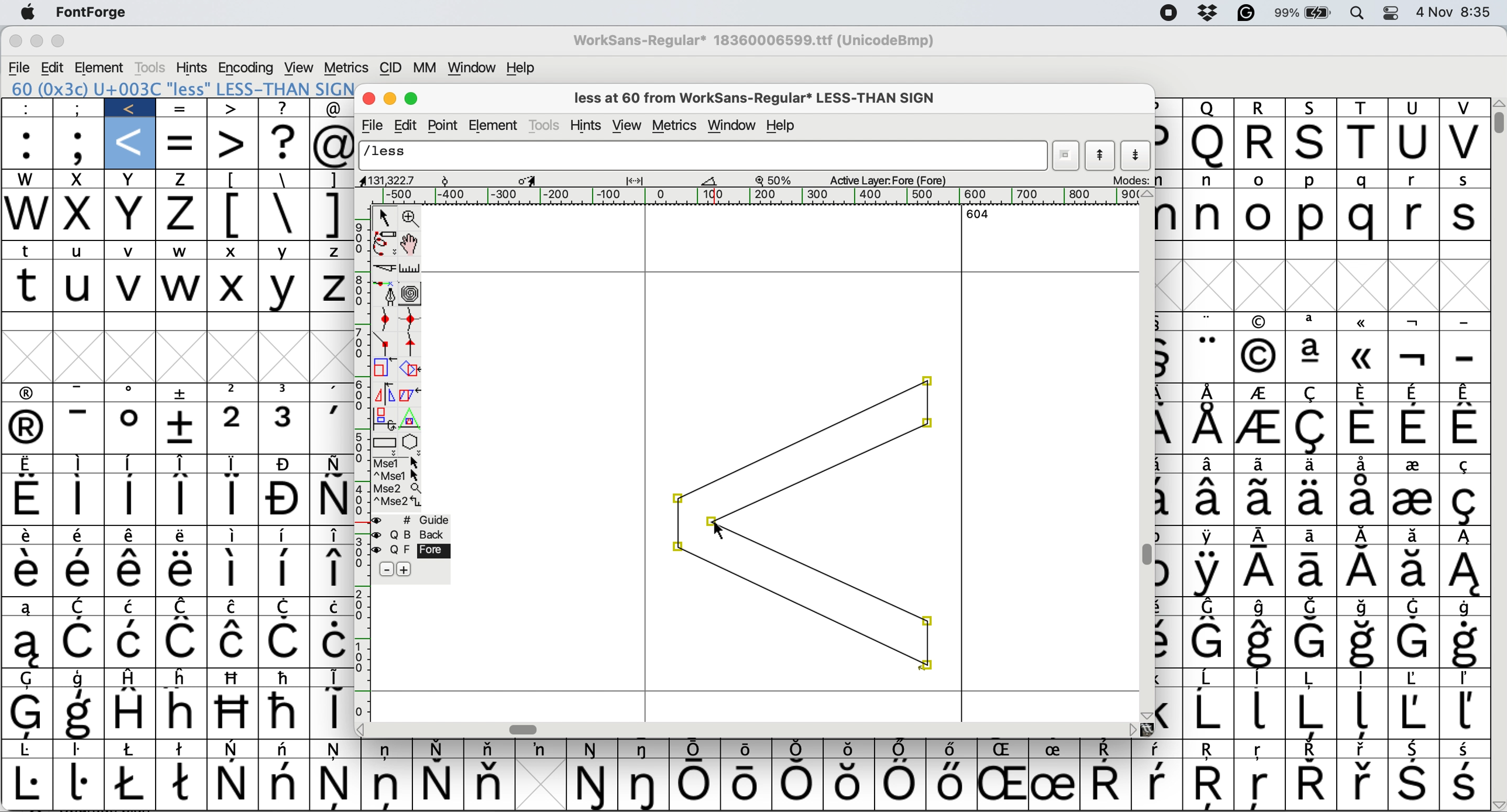 This screenshot has width=1507, height=812. What do you see at coordinates (285, 536) in the screenshot?
I see `Symbol` at bounding box center [285, 536].